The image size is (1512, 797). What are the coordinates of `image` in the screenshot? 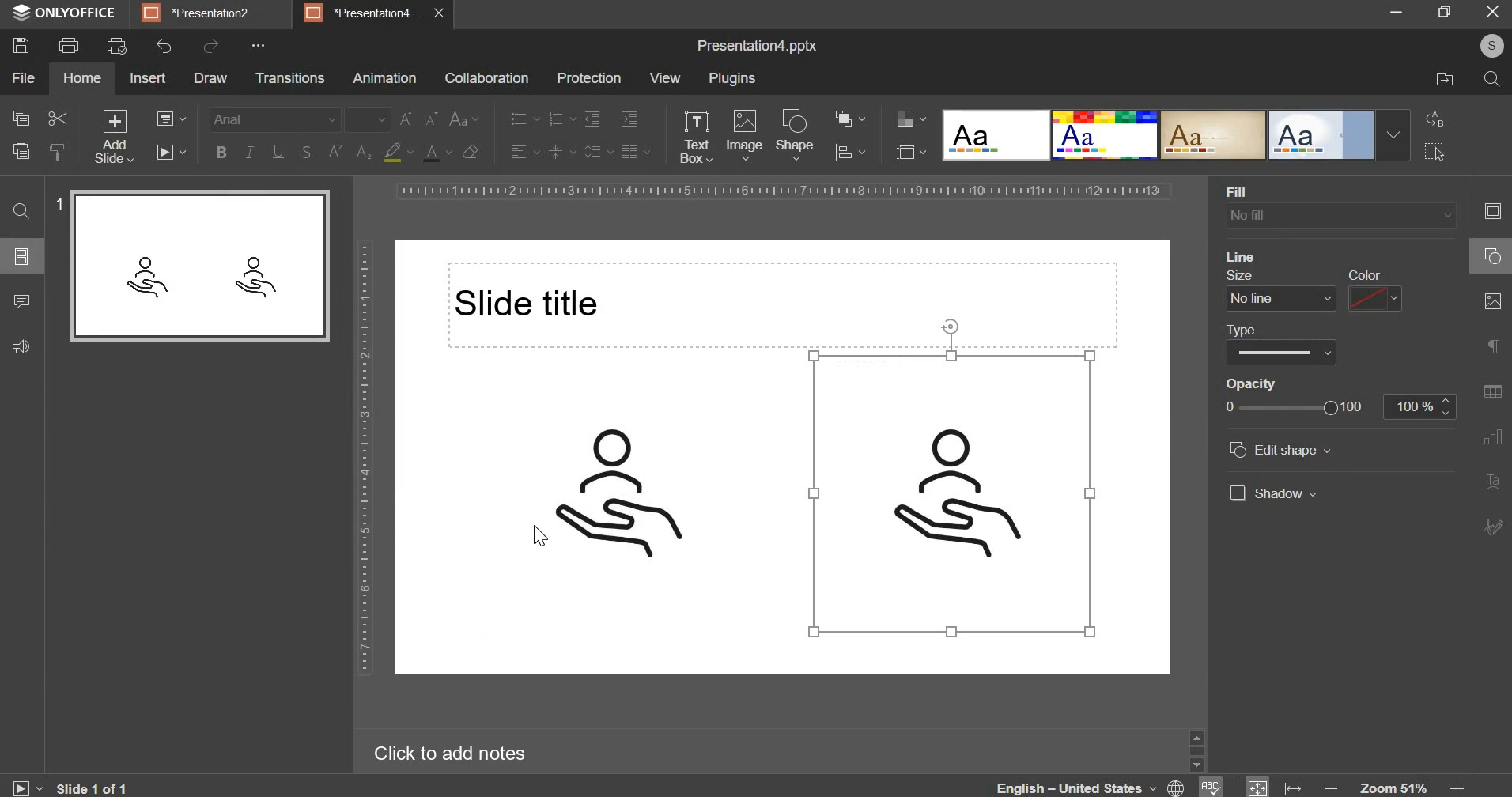 It's located at (745, 136).